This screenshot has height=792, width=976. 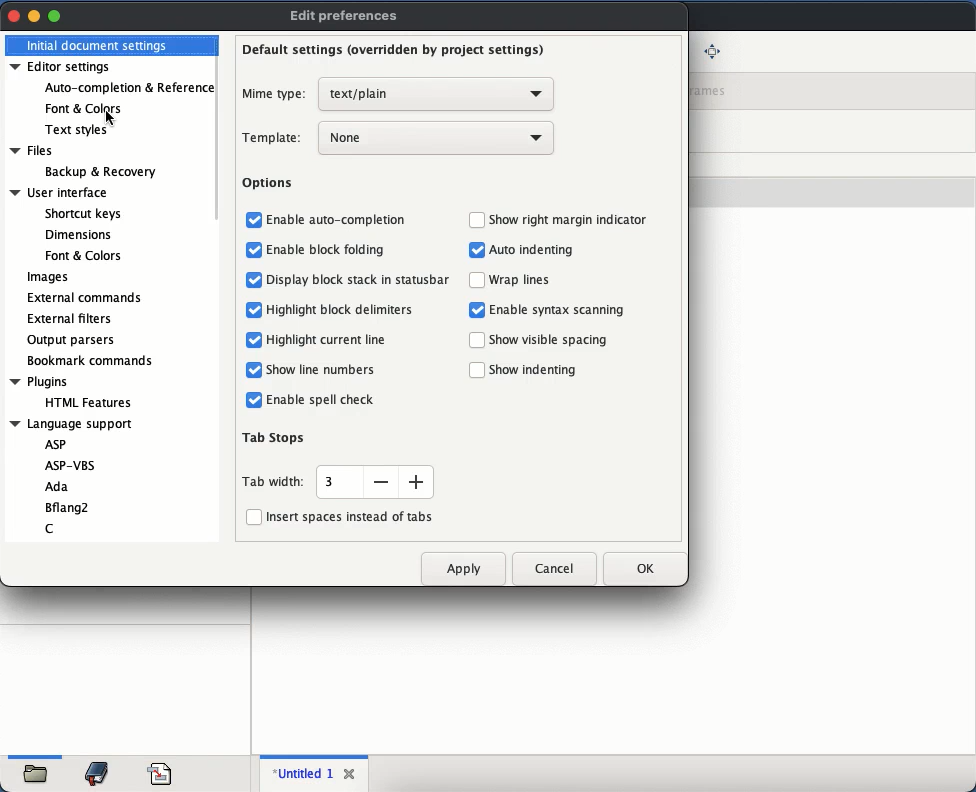 I want to click on checkbox, so click(x=477, y=250).